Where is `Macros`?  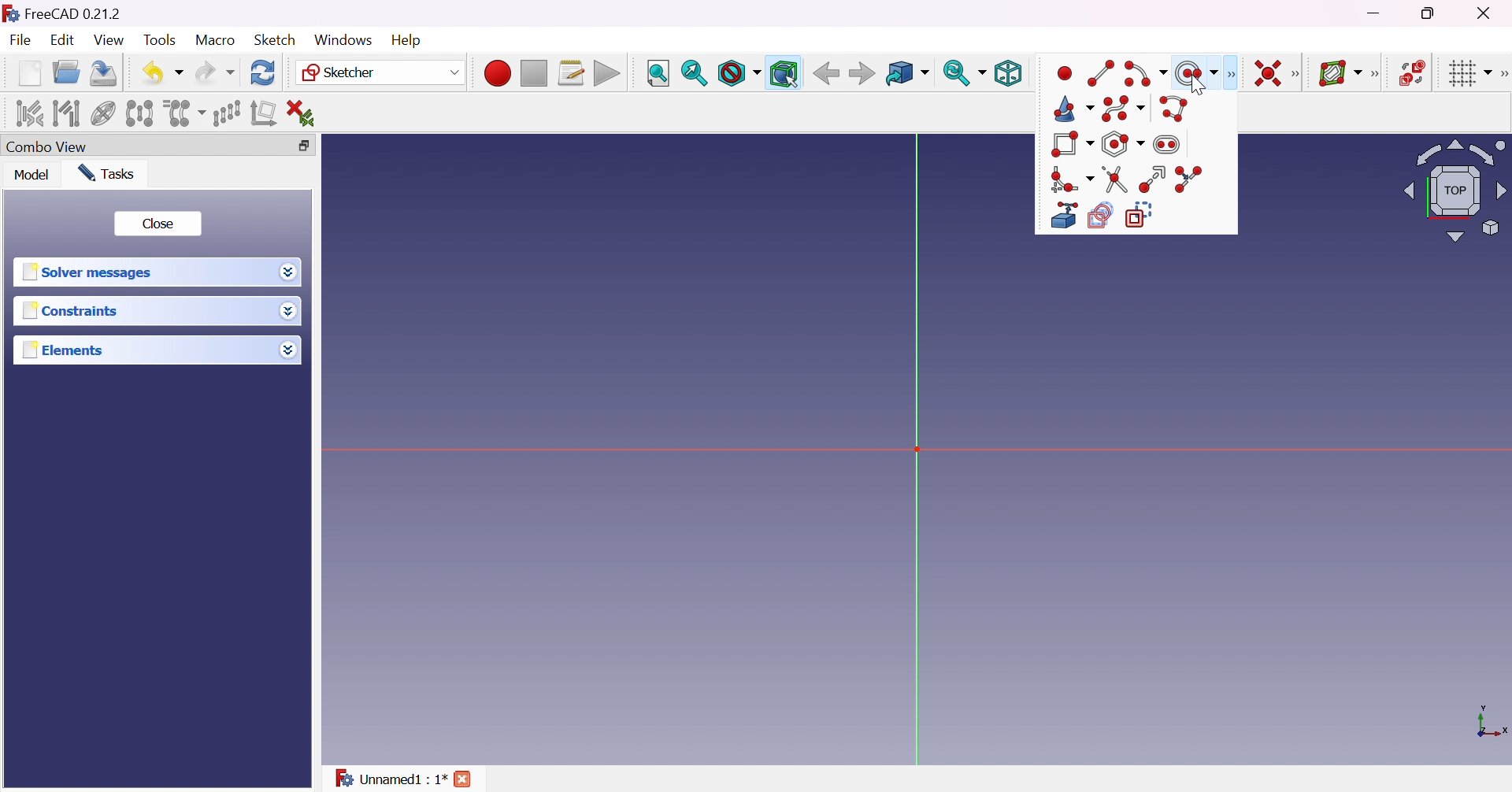 Macros is located at coordinates (572, 73).